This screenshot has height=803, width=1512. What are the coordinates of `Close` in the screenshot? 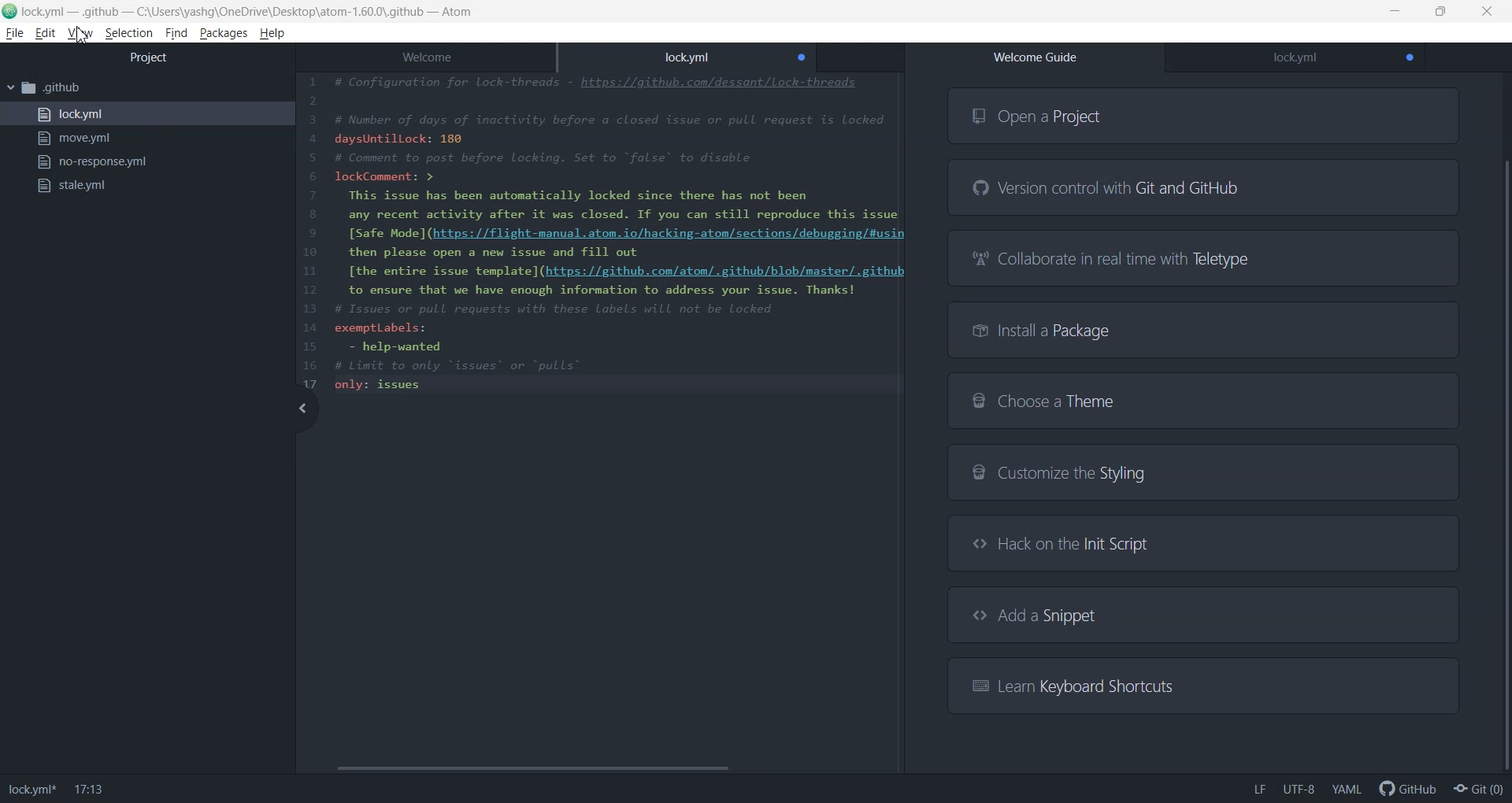 It's located at (1488, 11).